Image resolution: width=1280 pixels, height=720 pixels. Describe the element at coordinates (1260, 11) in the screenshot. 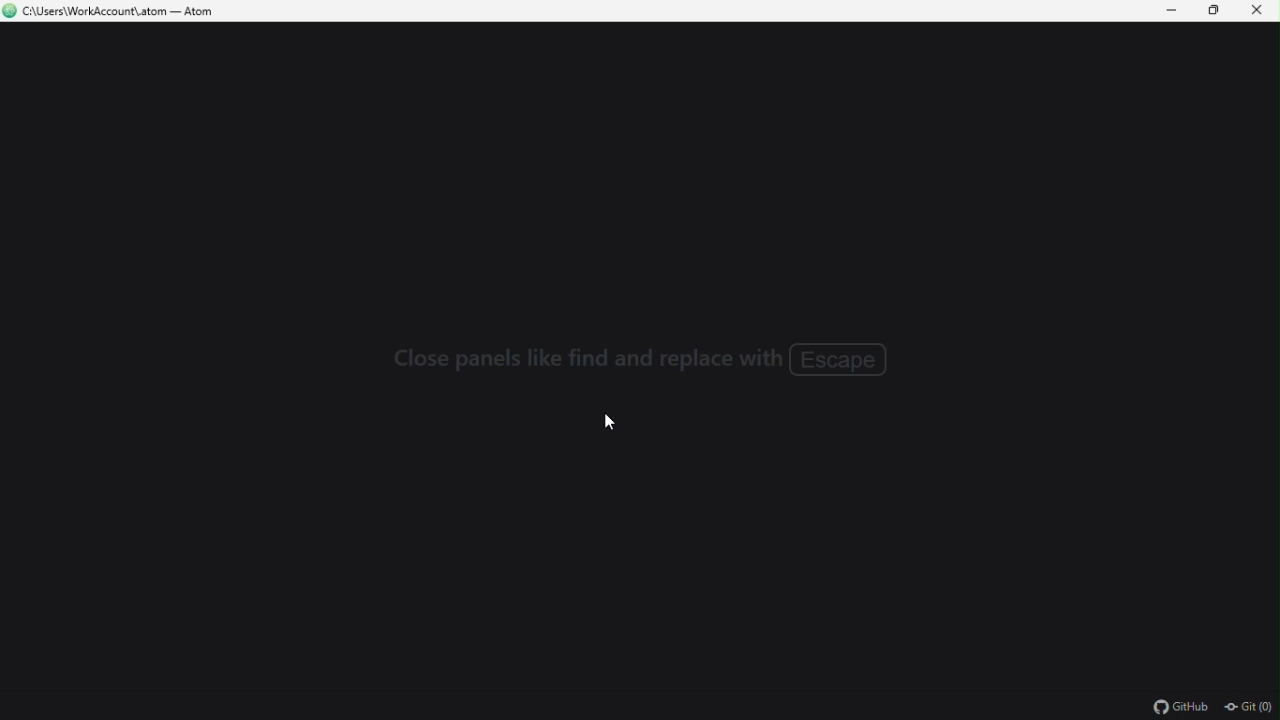

I see `close` at that location.